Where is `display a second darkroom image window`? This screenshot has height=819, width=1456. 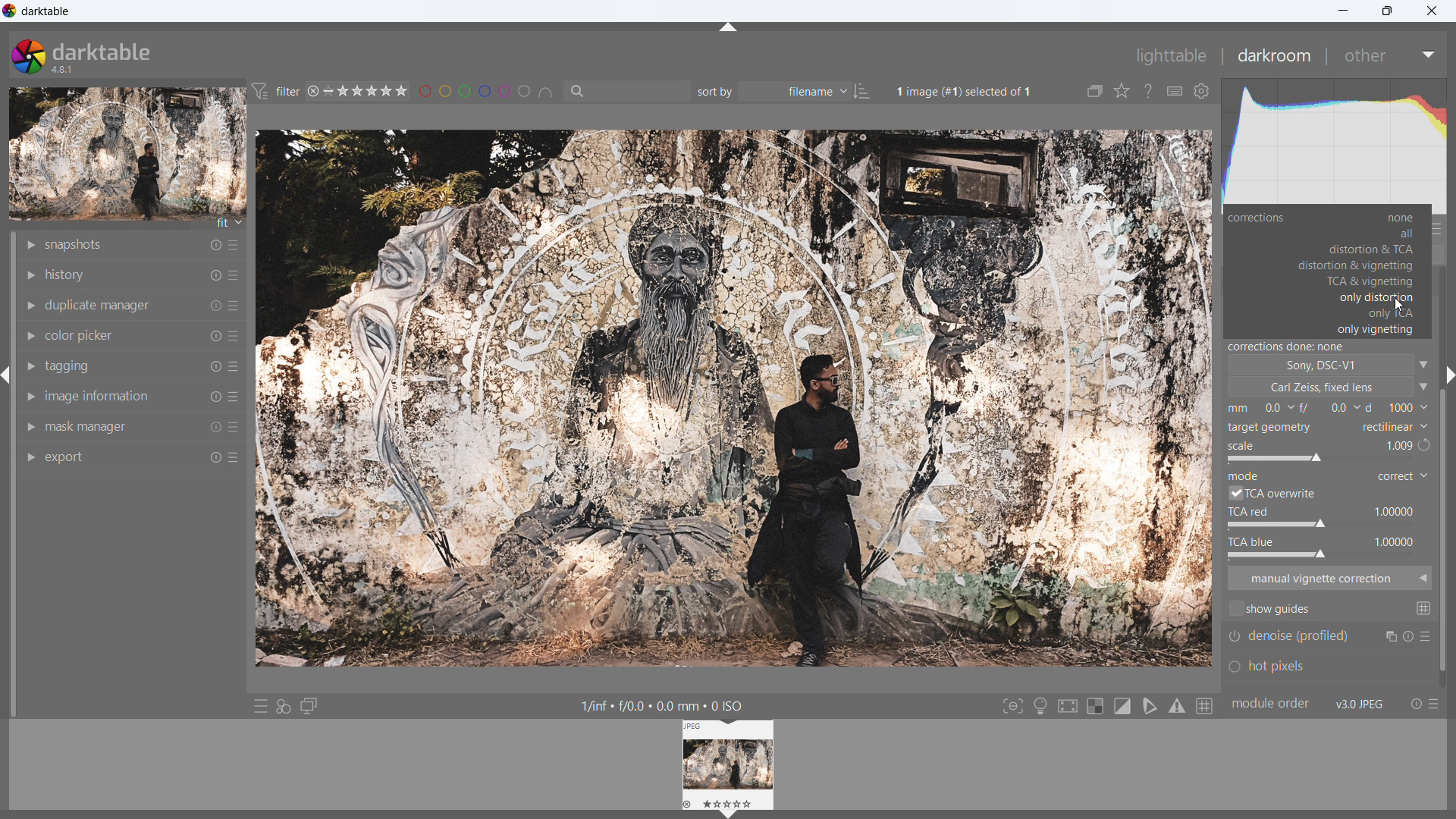 display a second darkroom image window is located at coordinates (312, 706).